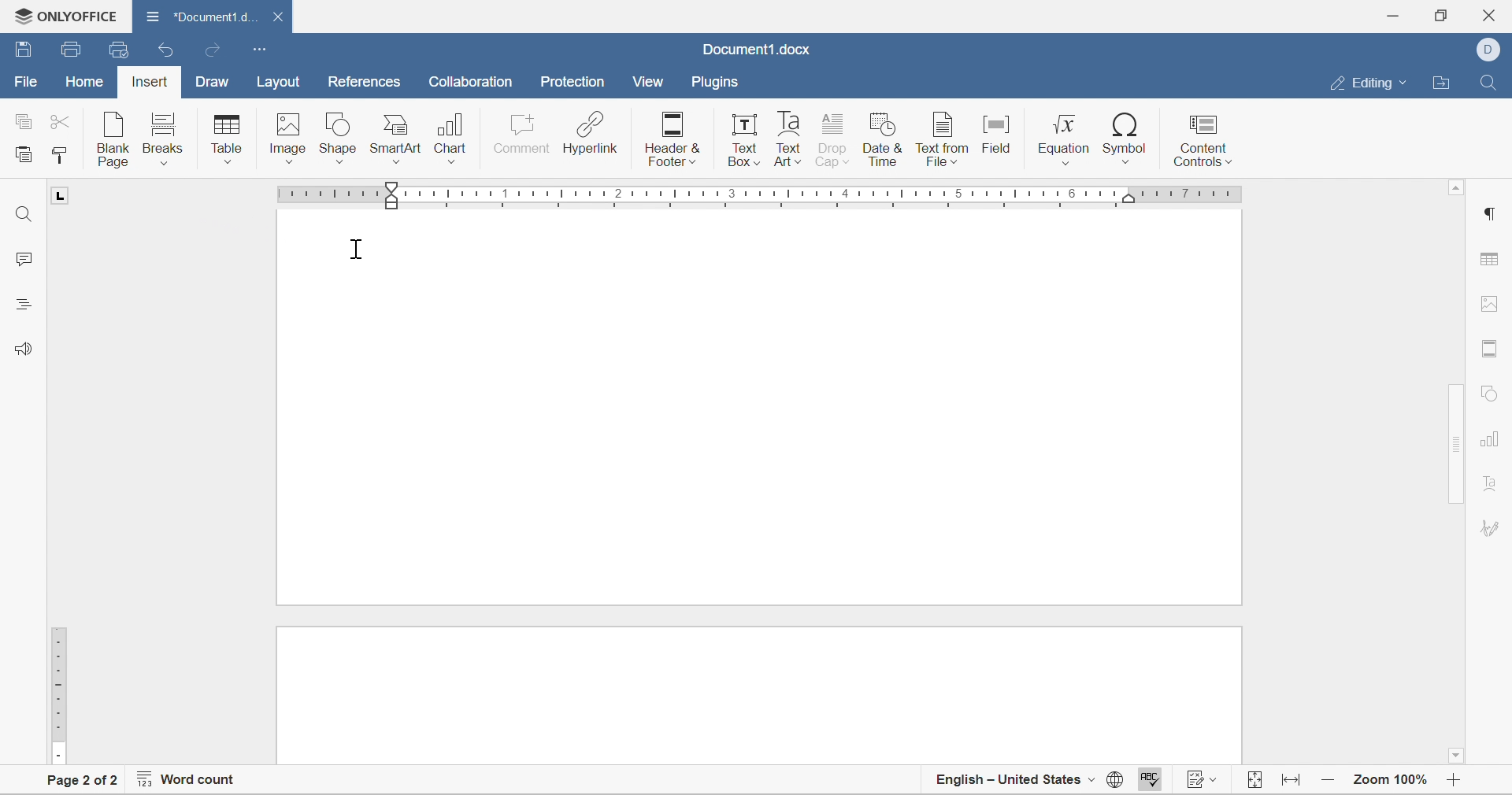 This screenshot has height=795, width=1512. What do you see at coordinates (1488, 50) in the screenshot?
I see `D` at bounding box center [1488, 50].